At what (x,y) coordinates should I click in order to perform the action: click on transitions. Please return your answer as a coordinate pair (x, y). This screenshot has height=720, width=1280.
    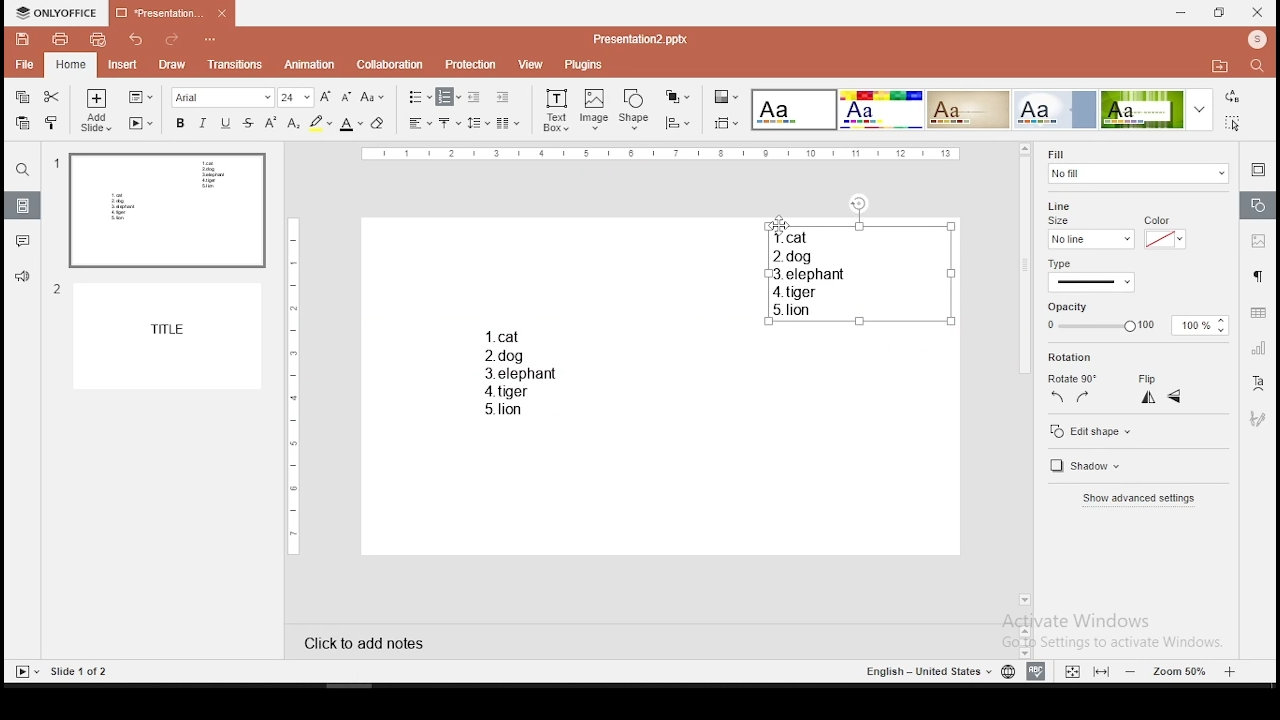
    Looking at the image, I should click on (232, 66).